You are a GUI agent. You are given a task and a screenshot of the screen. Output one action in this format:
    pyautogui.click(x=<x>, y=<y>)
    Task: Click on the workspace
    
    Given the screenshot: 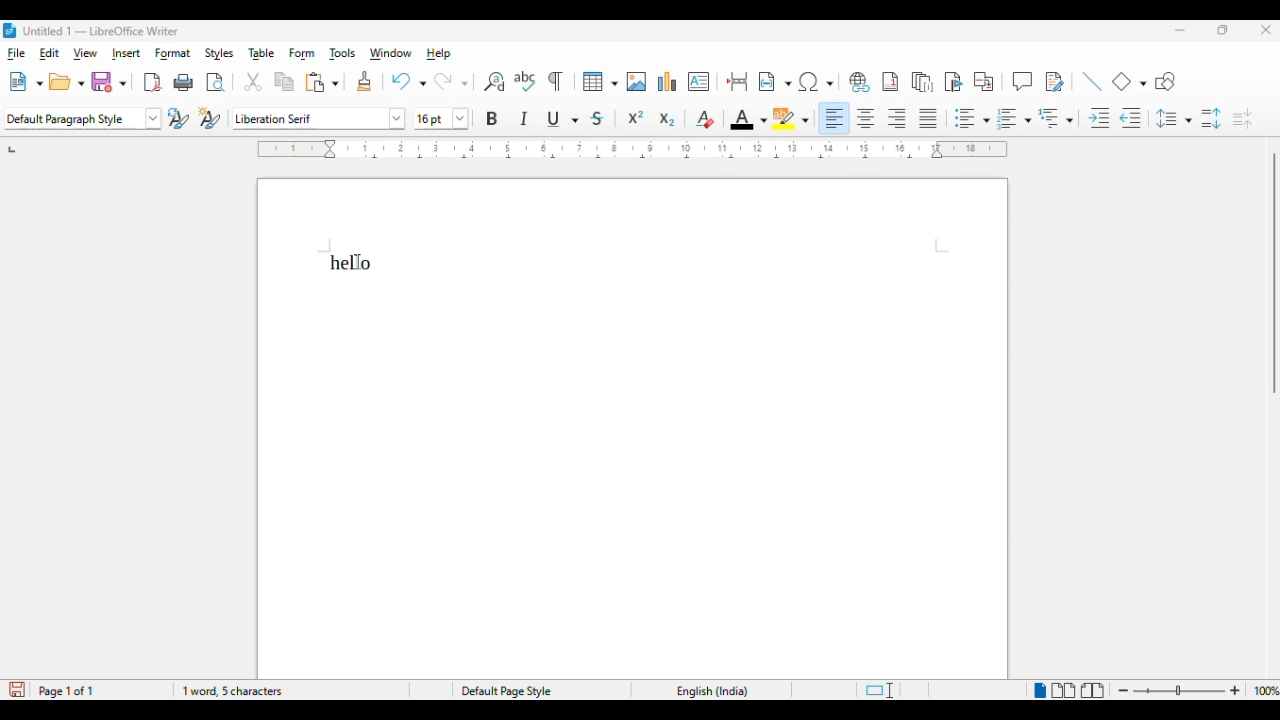 What is the action you would take?
    pyautogui.click(x=633, y=427)
    